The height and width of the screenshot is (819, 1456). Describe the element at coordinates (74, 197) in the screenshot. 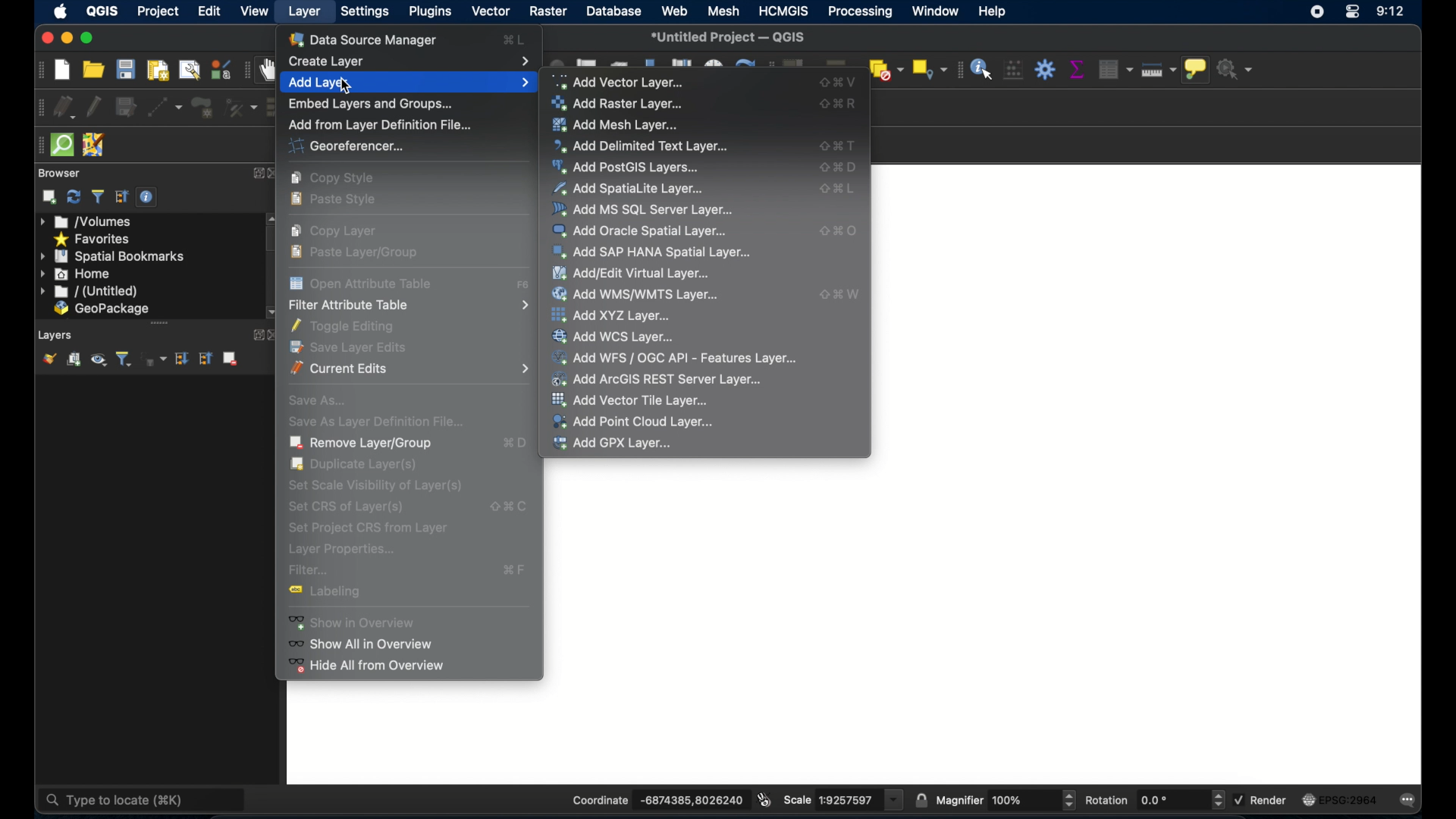

I see `refresh` at that location.